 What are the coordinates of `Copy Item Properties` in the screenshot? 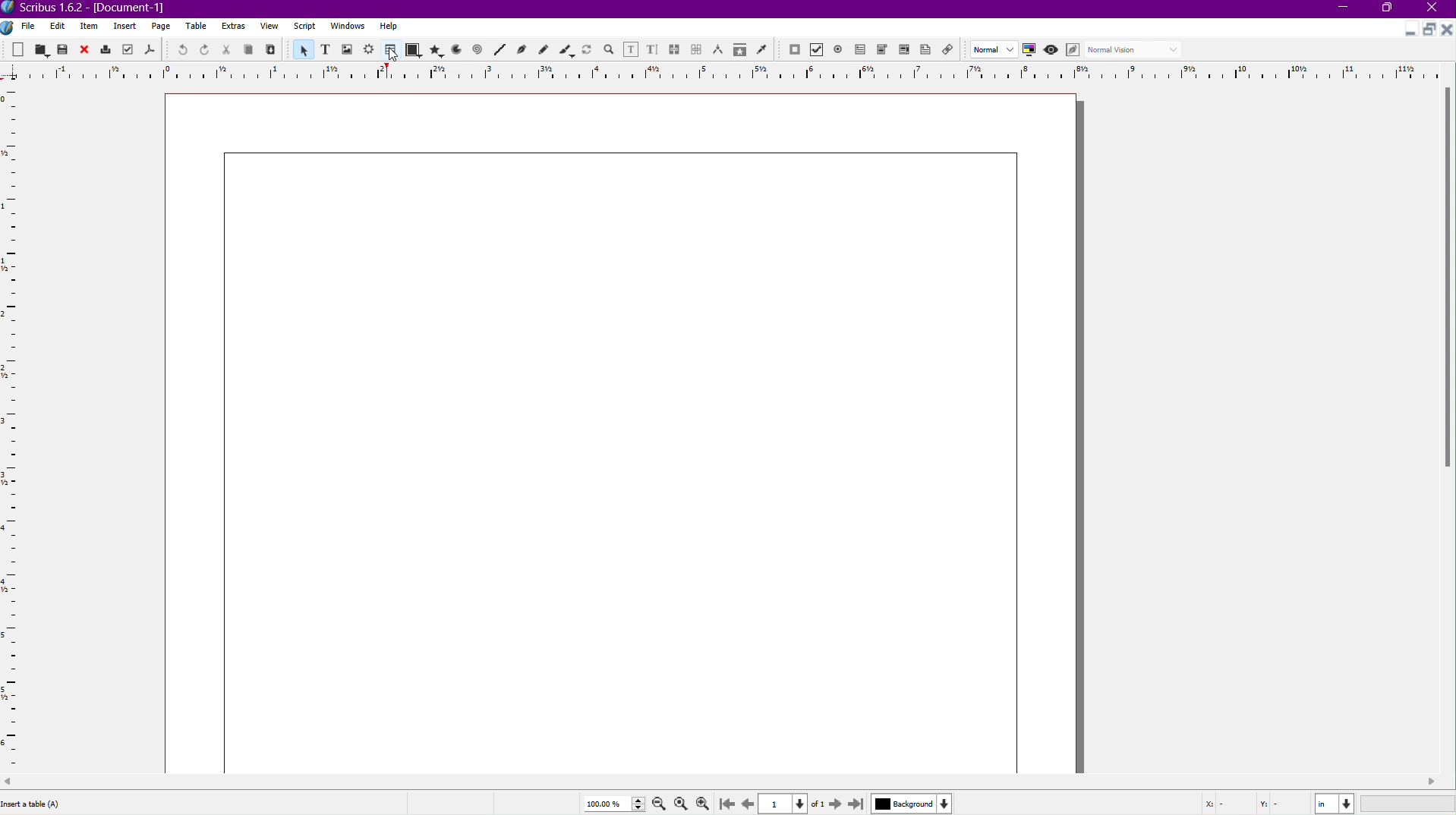 It's located at (739, 50).